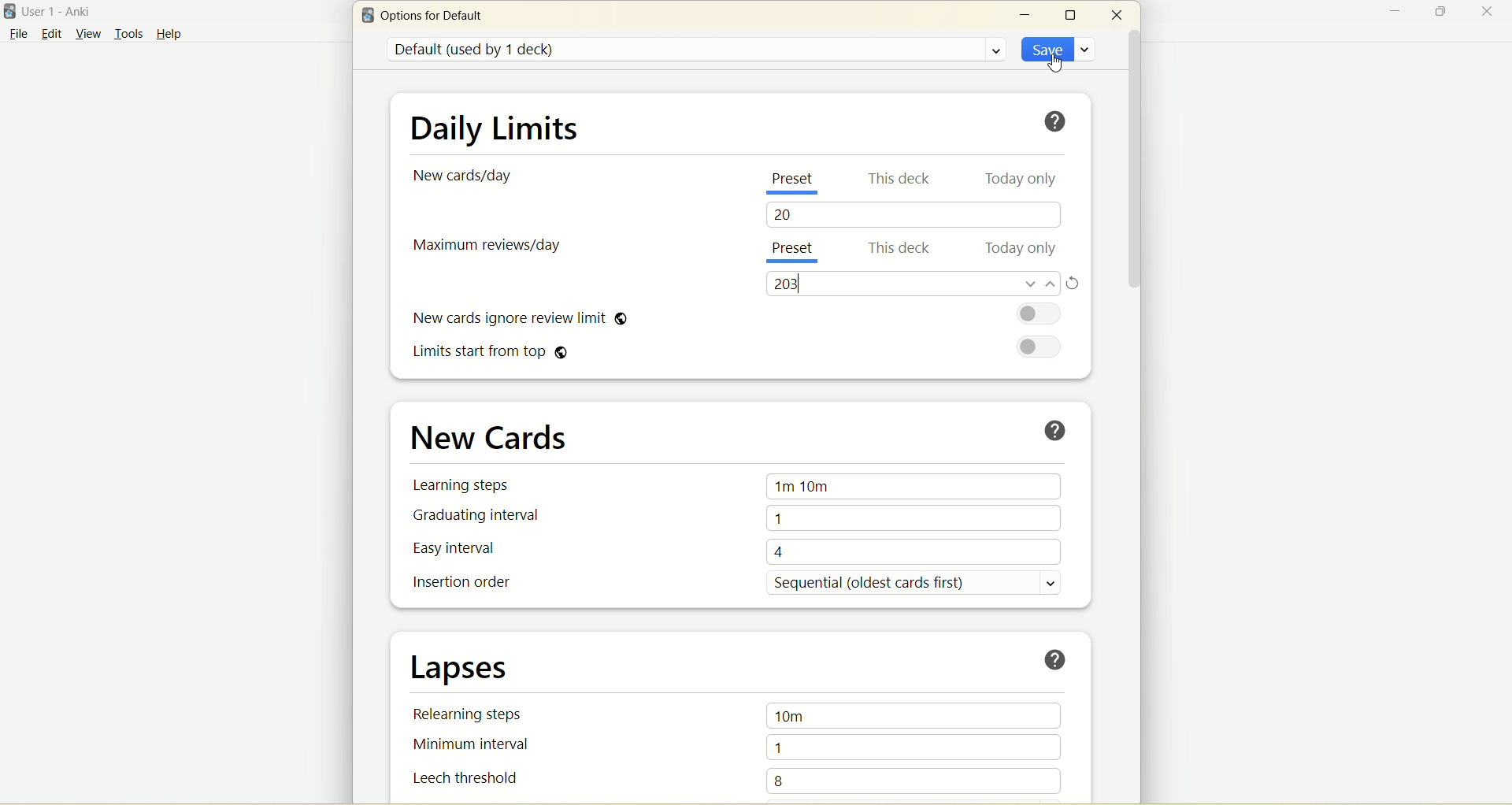 This screenshot has width=1512, height=805. What do you see at coordinates (696, 50) in the screenshot?
I see `default` at bounding box center [696, 50].